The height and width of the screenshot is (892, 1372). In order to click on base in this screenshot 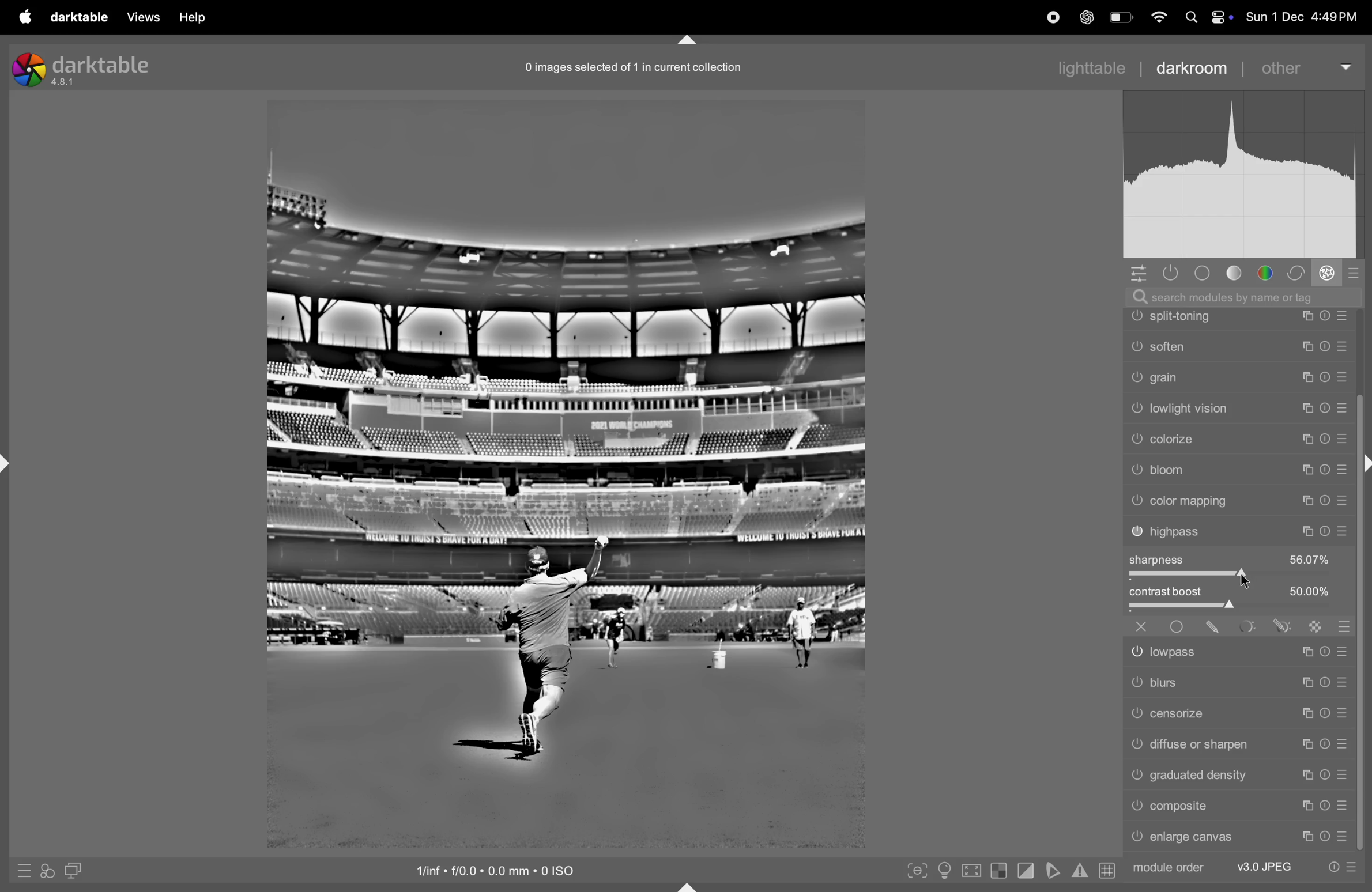, I will do `click(1206, 273)`.